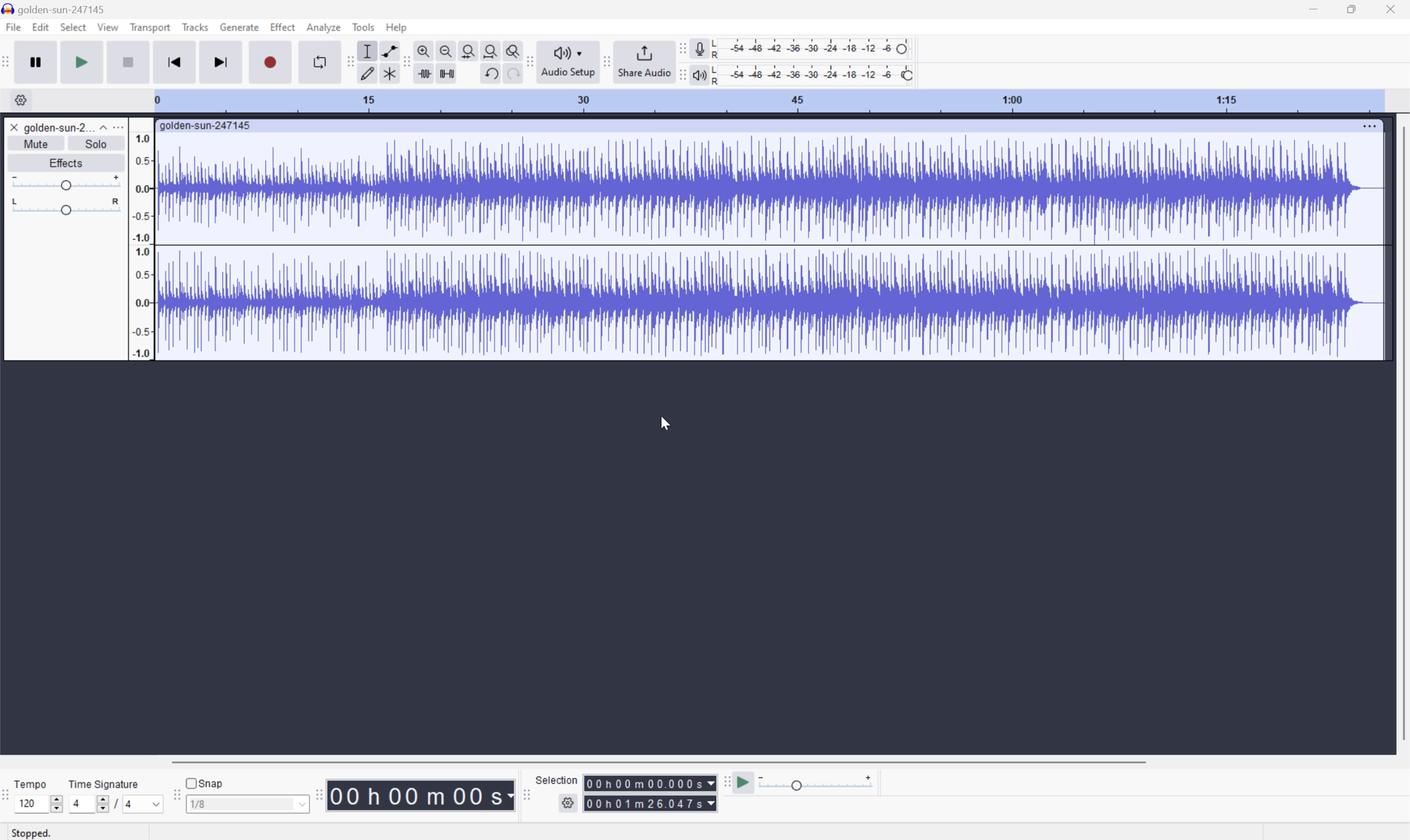  I want to click on Fit selection to width, so click(467, 50).